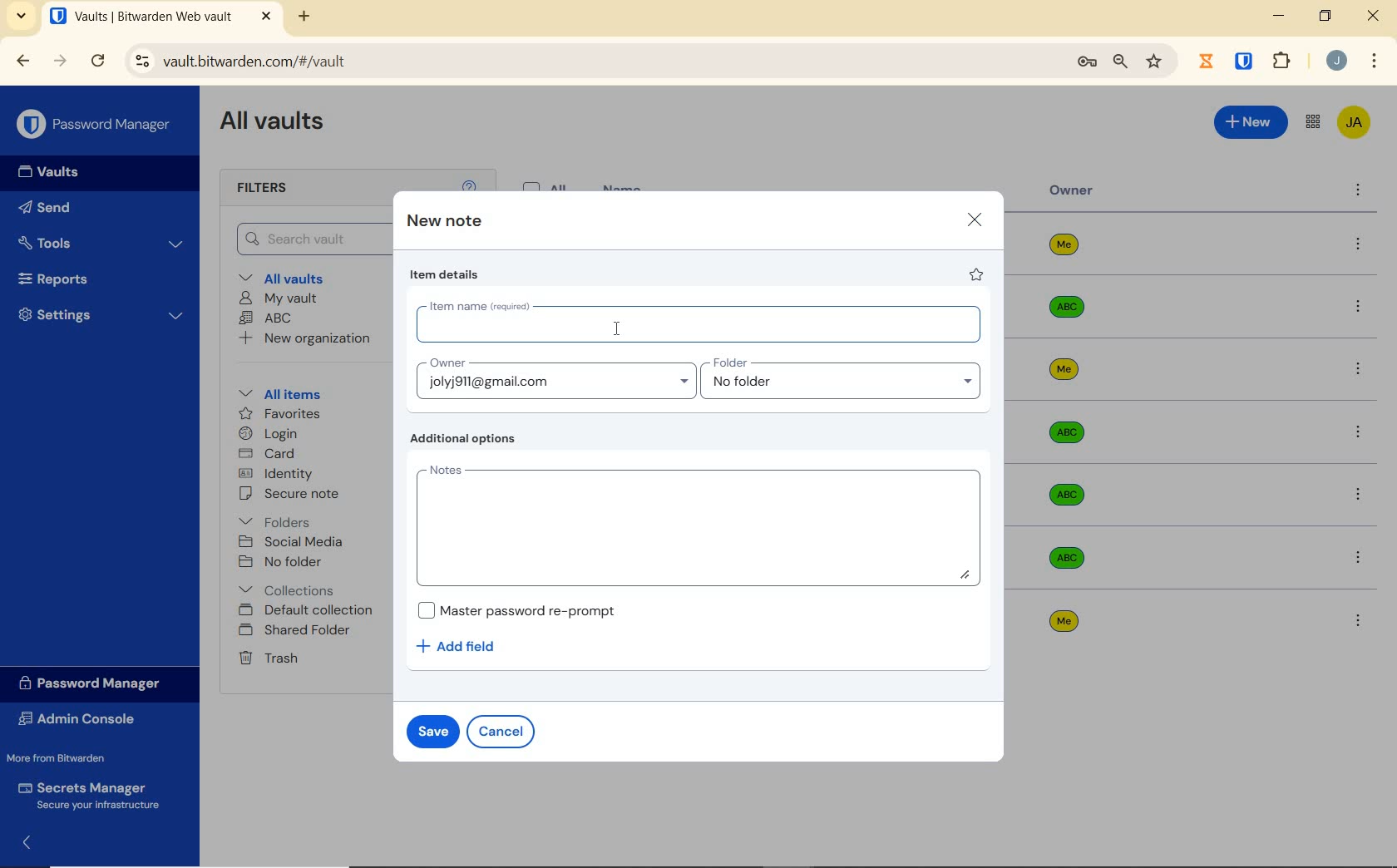 Image resolution: width=1397 pixels, height=868 pixels. Describe the element at coordinates (272, 435) in the screenshot. I see `login` at that location.